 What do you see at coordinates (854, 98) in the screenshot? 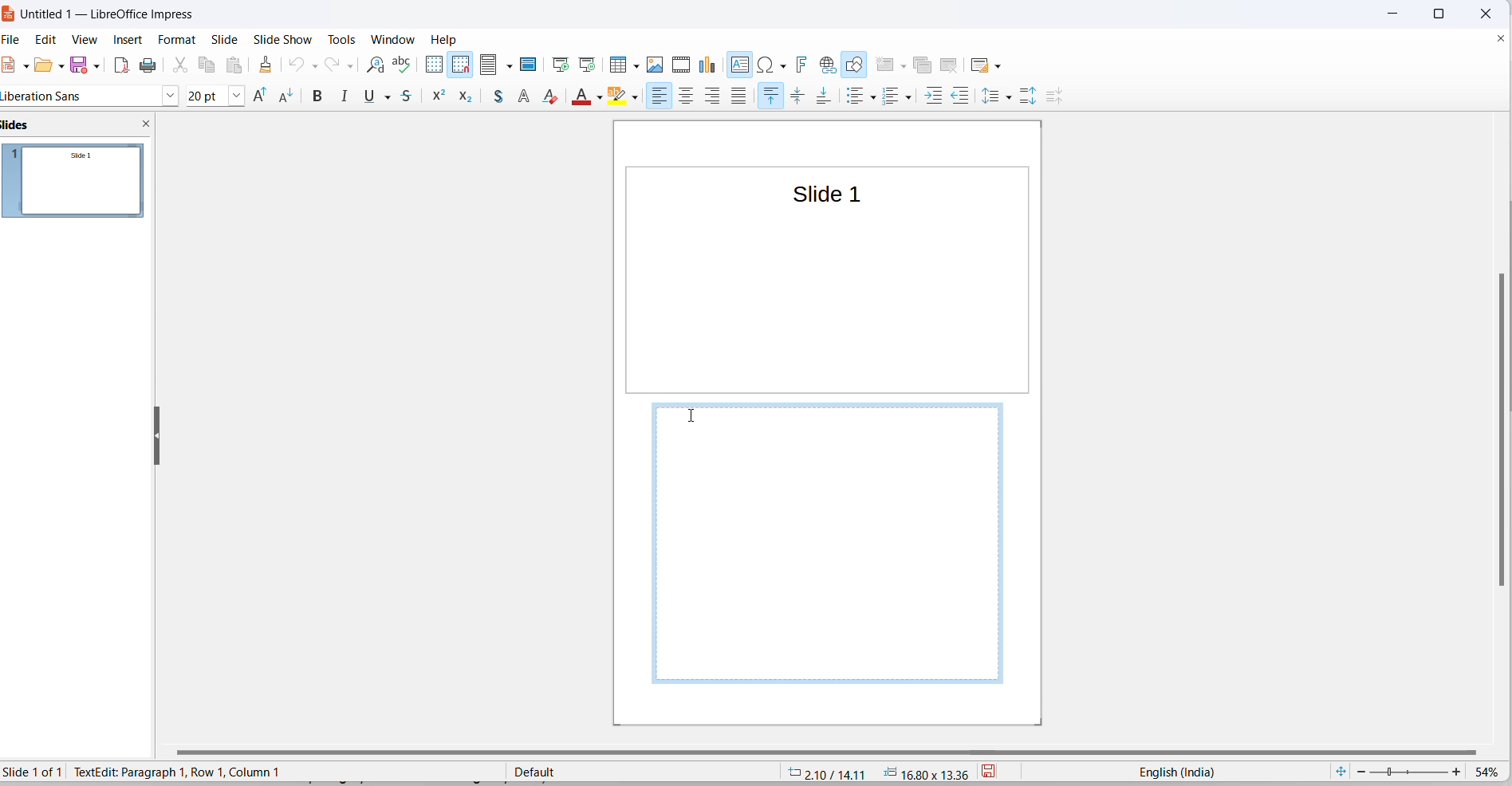
I see `show gluepoint functions` at bounding box center [854, 98].